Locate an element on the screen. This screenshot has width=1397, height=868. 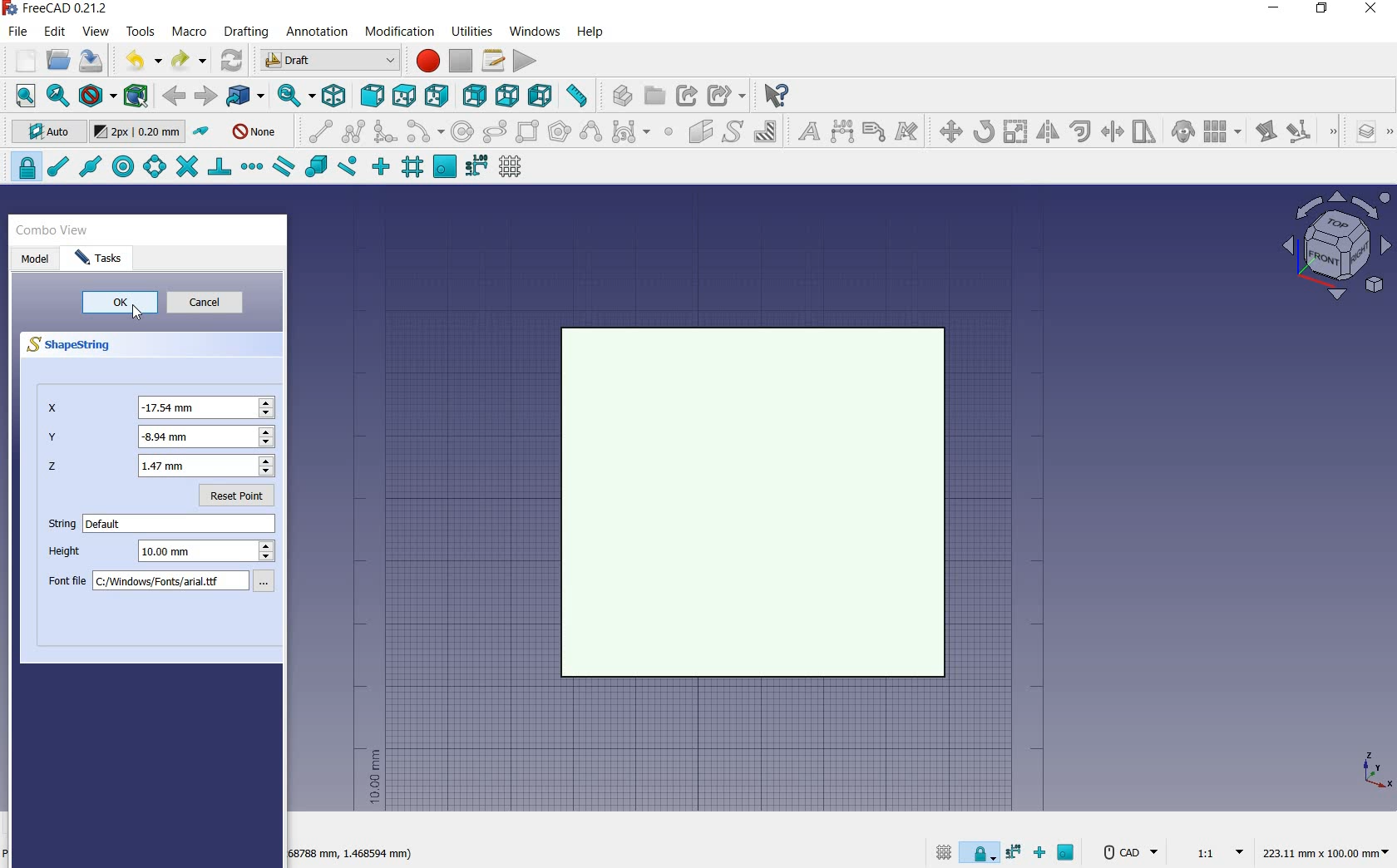
snap ortho is located at coordinates (1043, 854).